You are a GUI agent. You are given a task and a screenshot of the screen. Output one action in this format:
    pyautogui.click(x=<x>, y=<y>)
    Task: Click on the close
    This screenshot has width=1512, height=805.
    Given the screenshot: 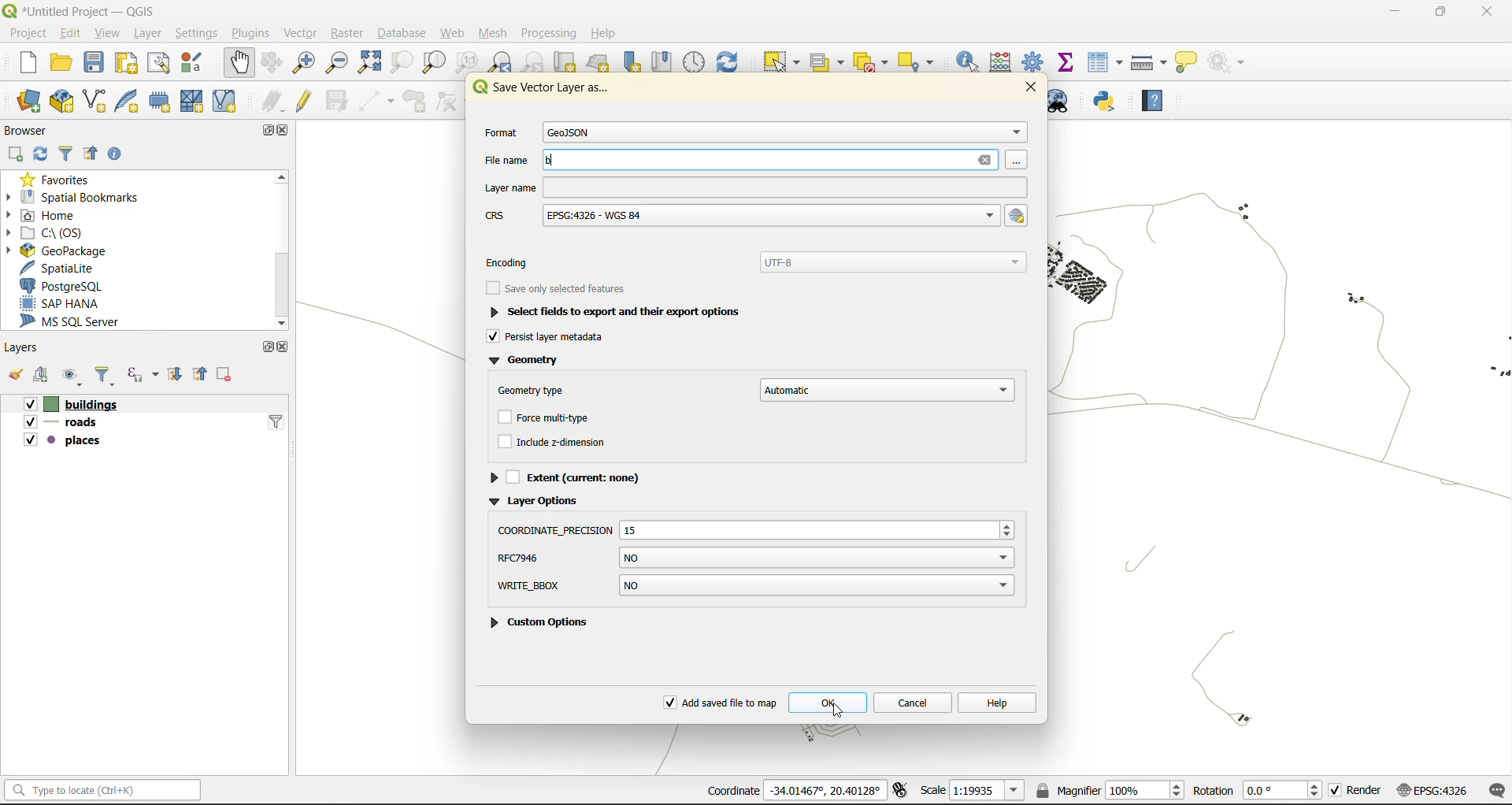 What is the action you would take?
    pyautogui.click(x=288, y=132)
    